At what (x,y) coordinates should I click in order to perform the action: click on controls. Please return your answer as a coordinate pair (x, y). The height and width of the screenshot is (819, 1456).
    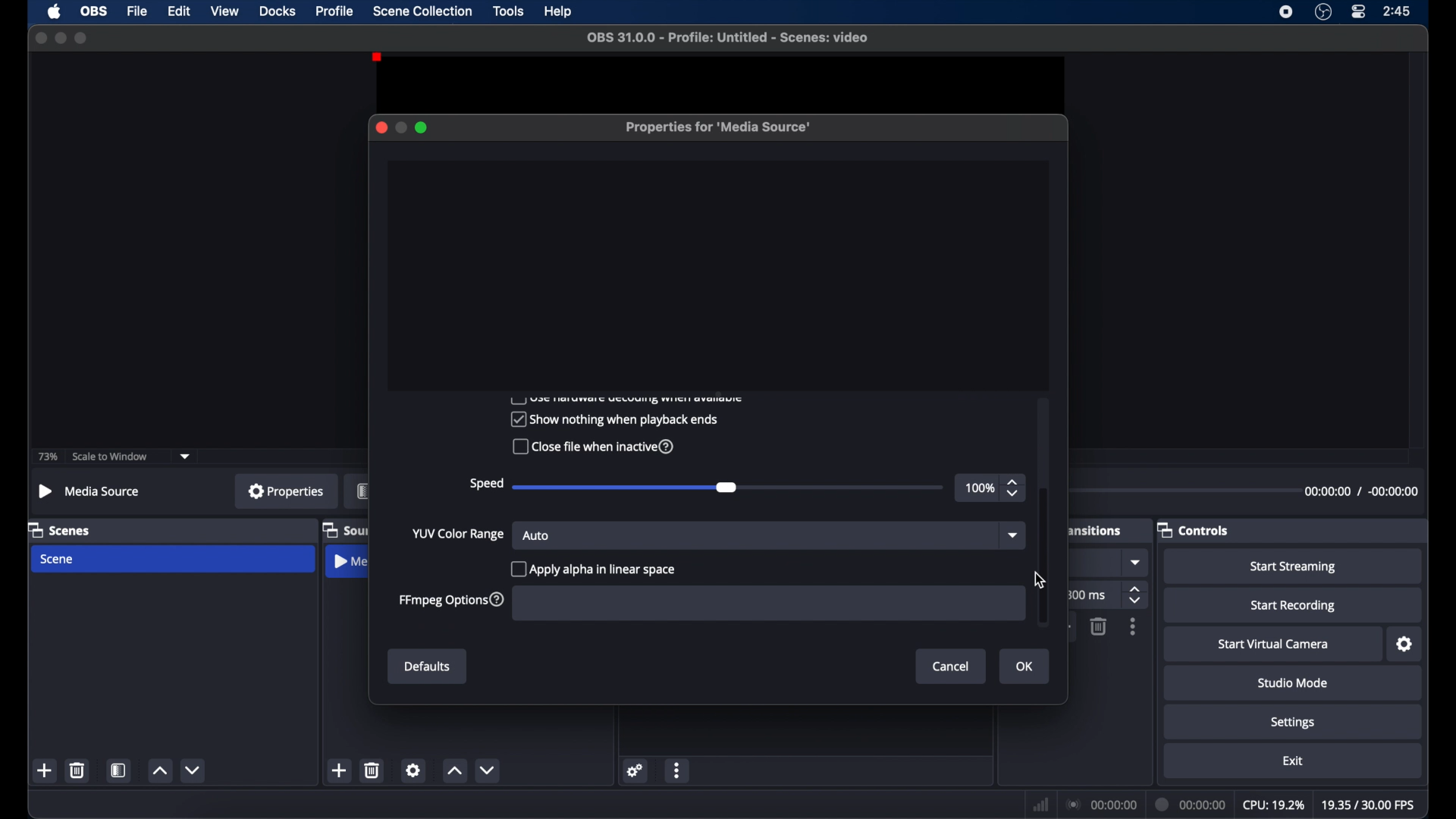
    Looking at the image, I should click on (1194, 529).